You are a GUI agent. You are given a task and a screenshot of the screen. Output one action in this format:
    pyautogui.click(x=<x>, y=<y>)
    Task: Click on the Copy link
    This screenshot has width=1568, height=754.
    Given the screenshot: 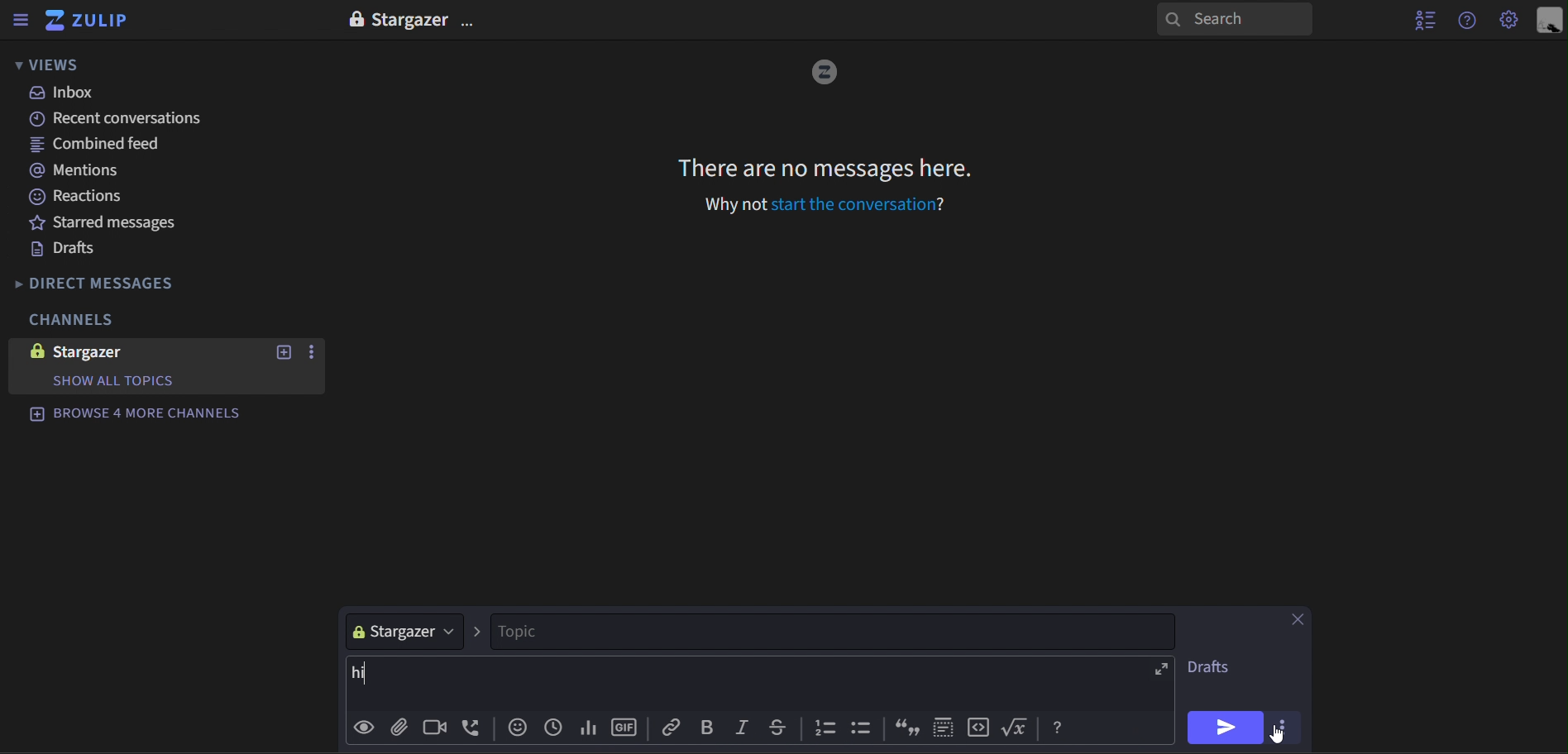 What is the action you would take?
    pyautogui.click(x=674, y=729)
    